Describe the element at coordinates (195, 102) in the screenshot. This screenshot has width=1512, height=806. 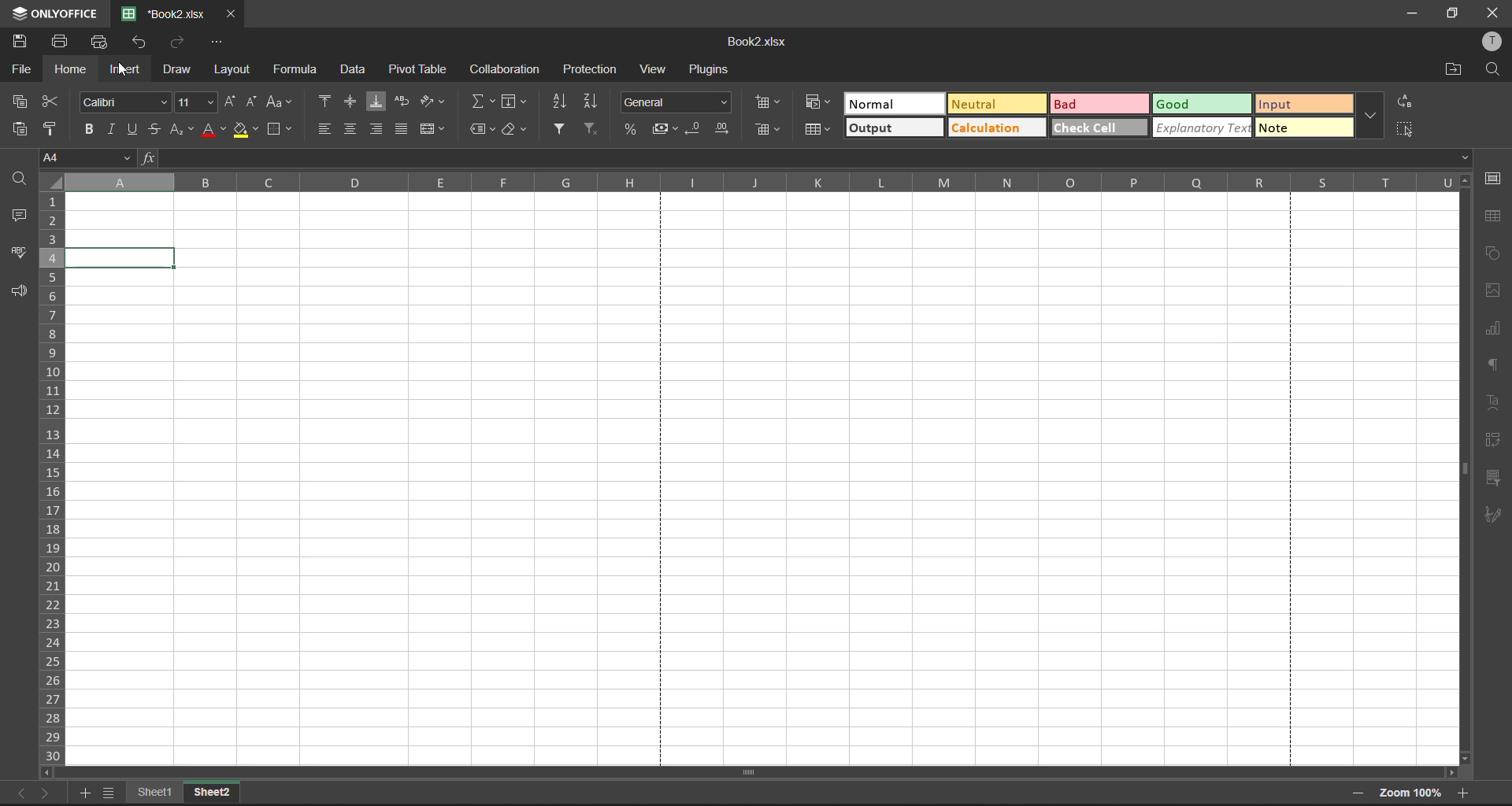
I see `font size` at that location.